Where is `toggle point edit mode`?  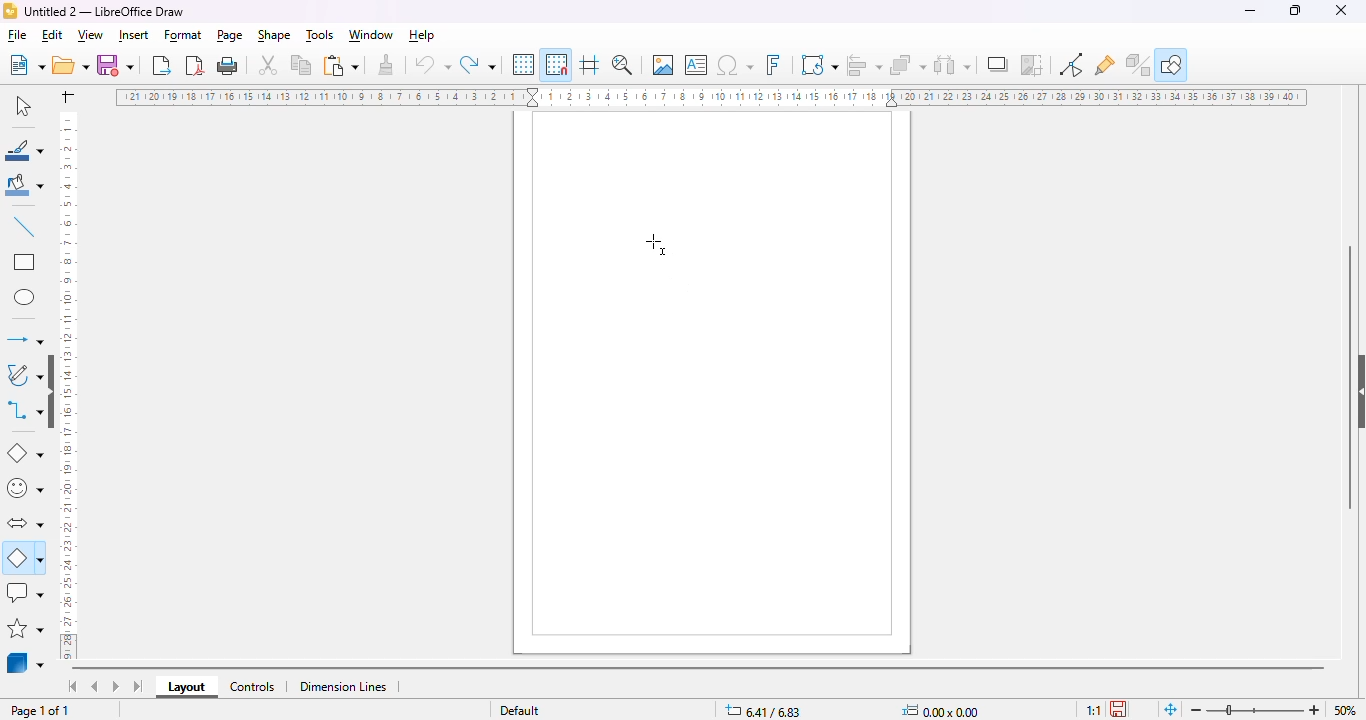
toggle point edit mode is located at coordinates (1071, 64).